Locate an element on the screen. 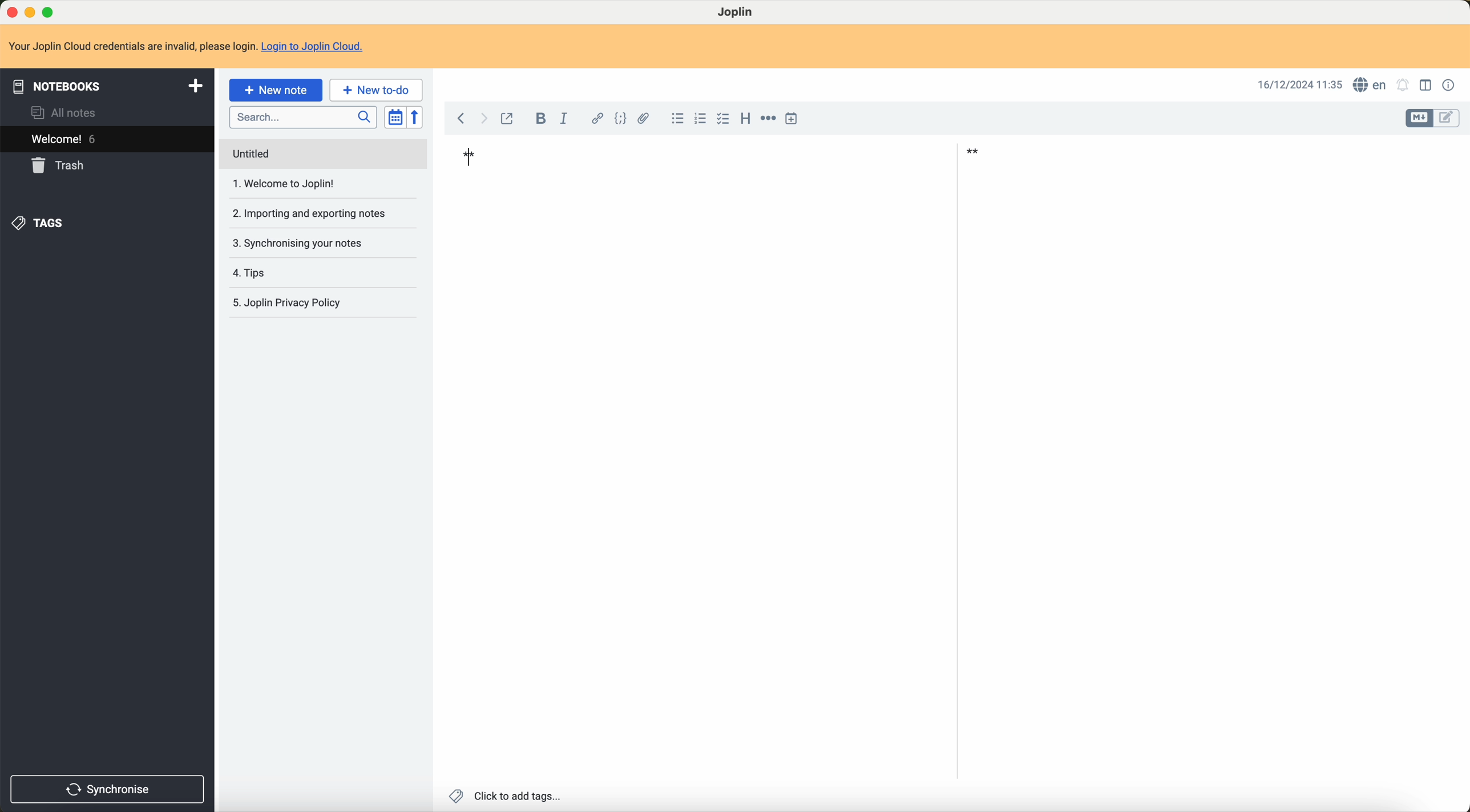  checkbox is located at coordinates (723, 119).